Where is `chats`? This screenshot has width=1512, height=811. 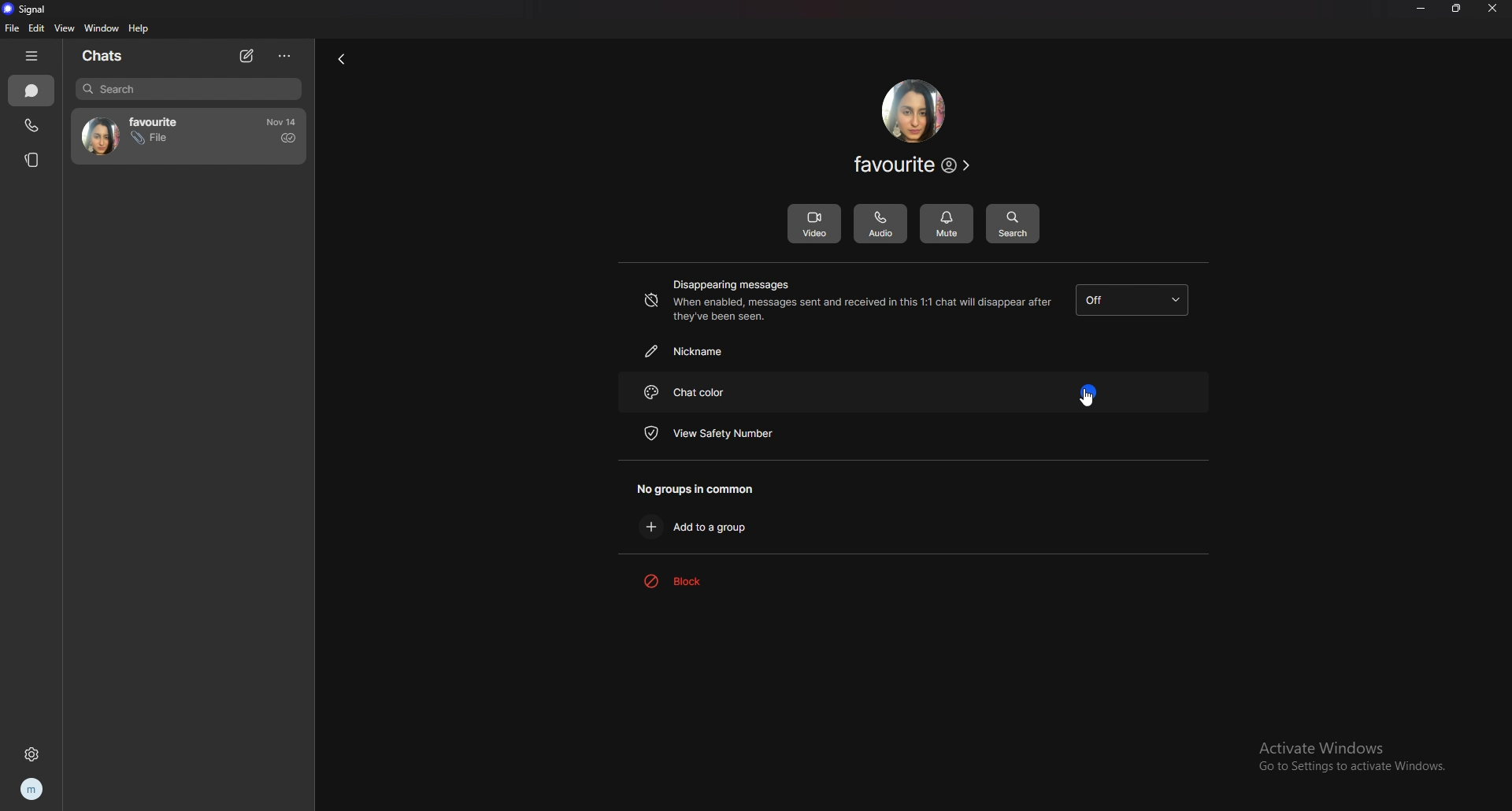 chats is located at coordinates (113, 55).